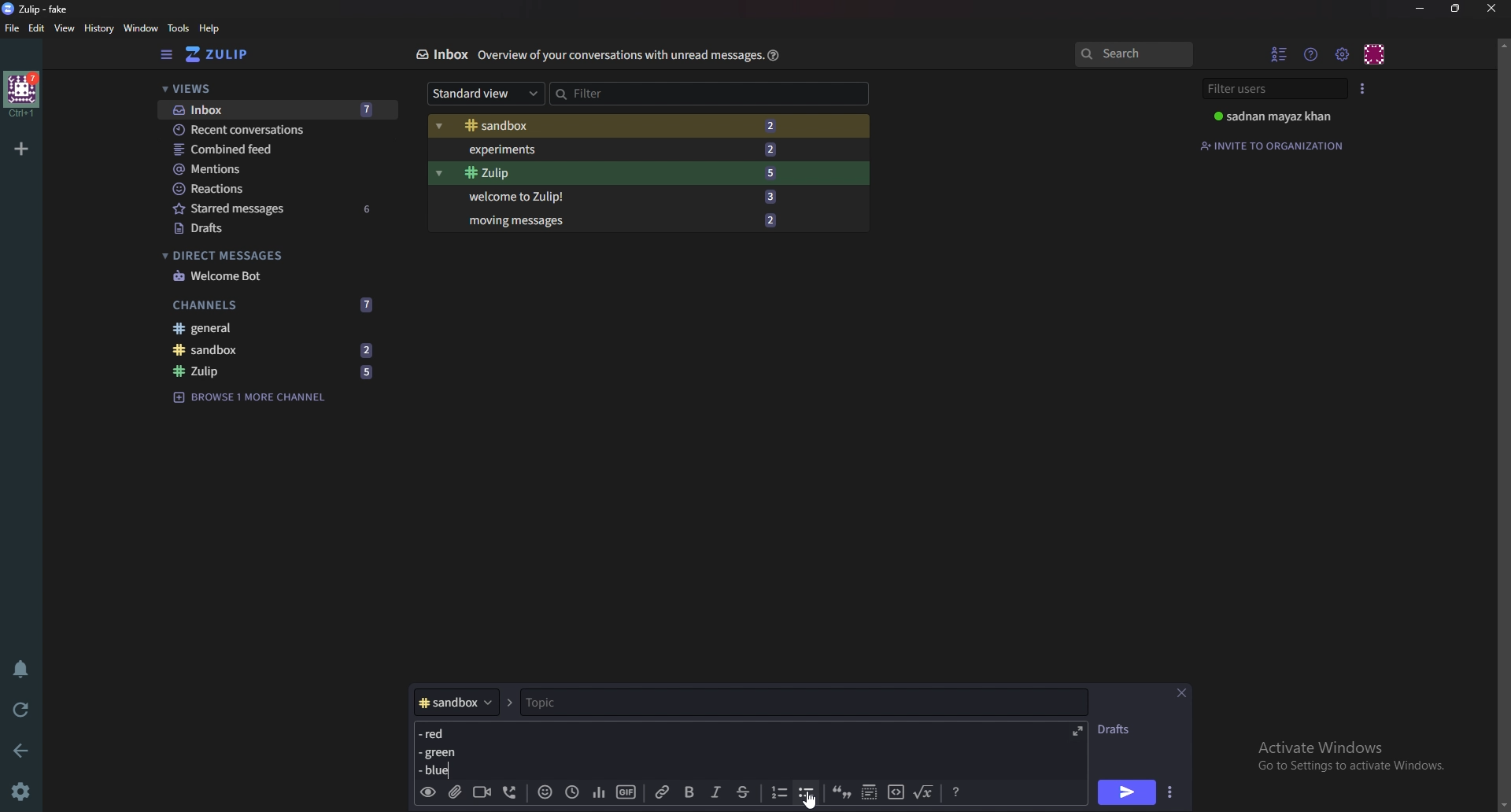 Image resolution: width=1511 pixels, height=812 pixels. What do you see at coordinates (1117, 729) in the screenshot?
I see `Drafts` at bounding box center [1117, 729].